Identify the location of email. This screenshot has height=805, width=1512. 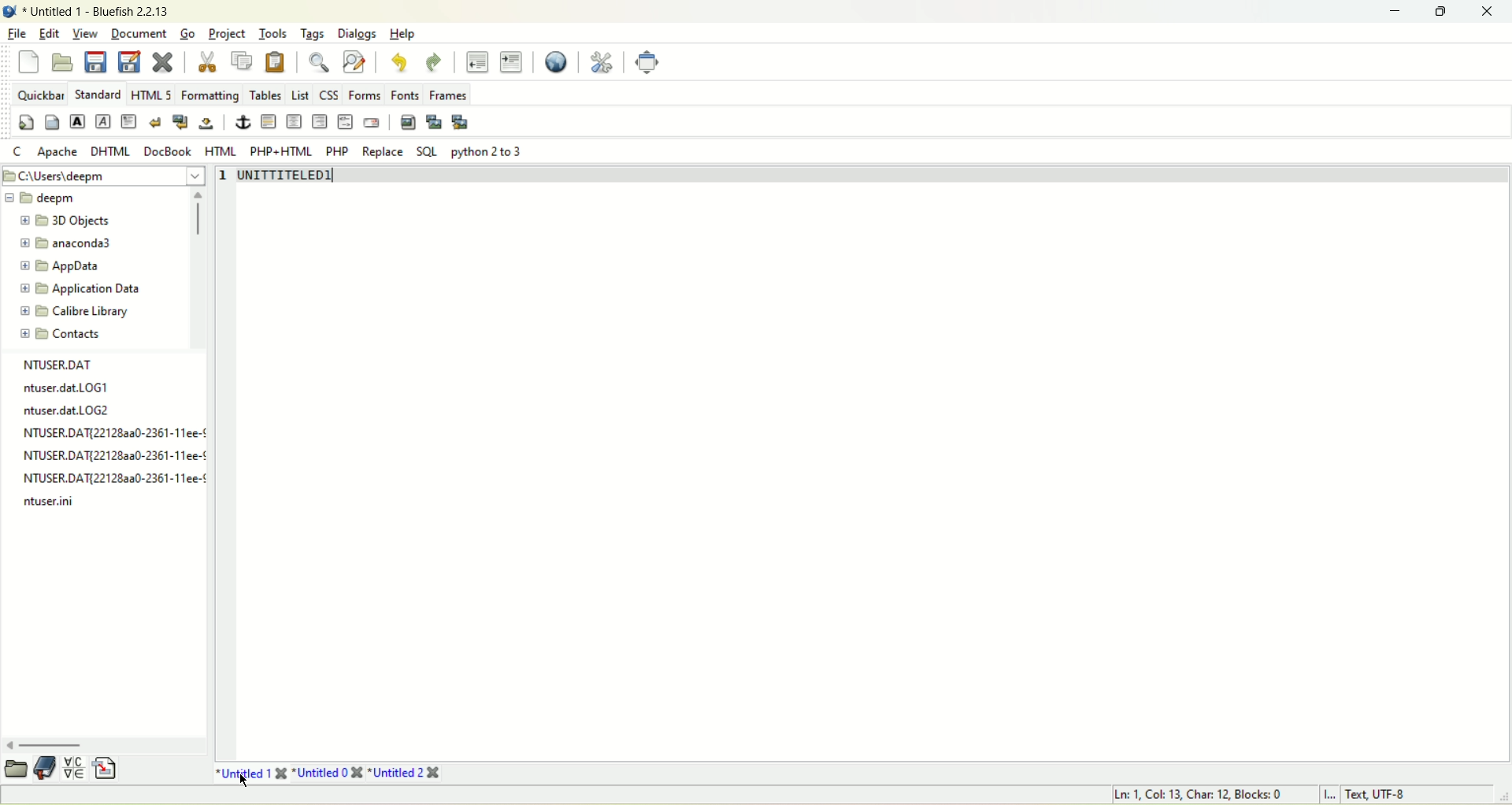
(372, 121).